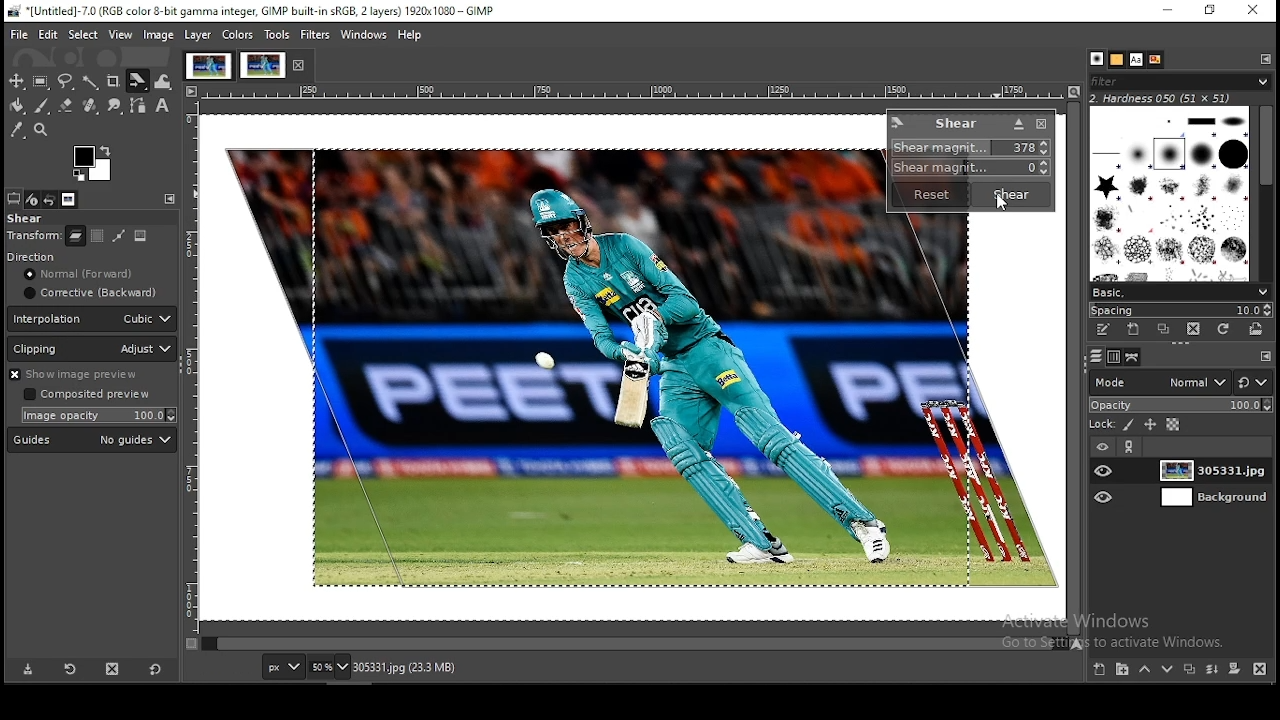 The width and height of the screenshot is (1280, 720). What do you see at coordinates (1174, 99) in the screenshot?
I see `hardness 050 (51x51)` at bounding box center [1174, 99].